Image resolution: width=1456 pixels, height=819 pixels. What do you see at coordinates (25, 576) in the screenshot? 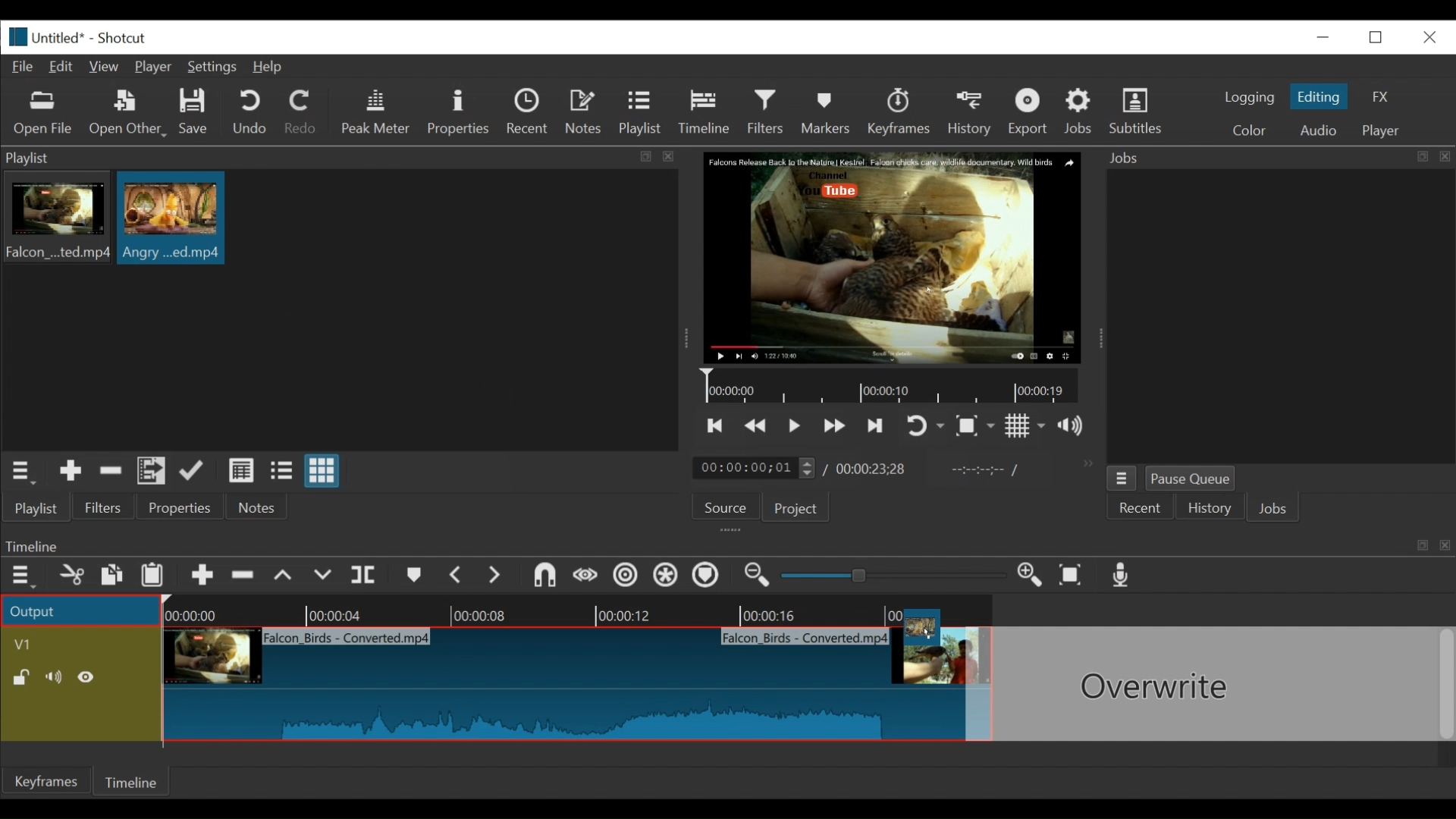
I see `Timeline menu` at bounding box center [25, 576].